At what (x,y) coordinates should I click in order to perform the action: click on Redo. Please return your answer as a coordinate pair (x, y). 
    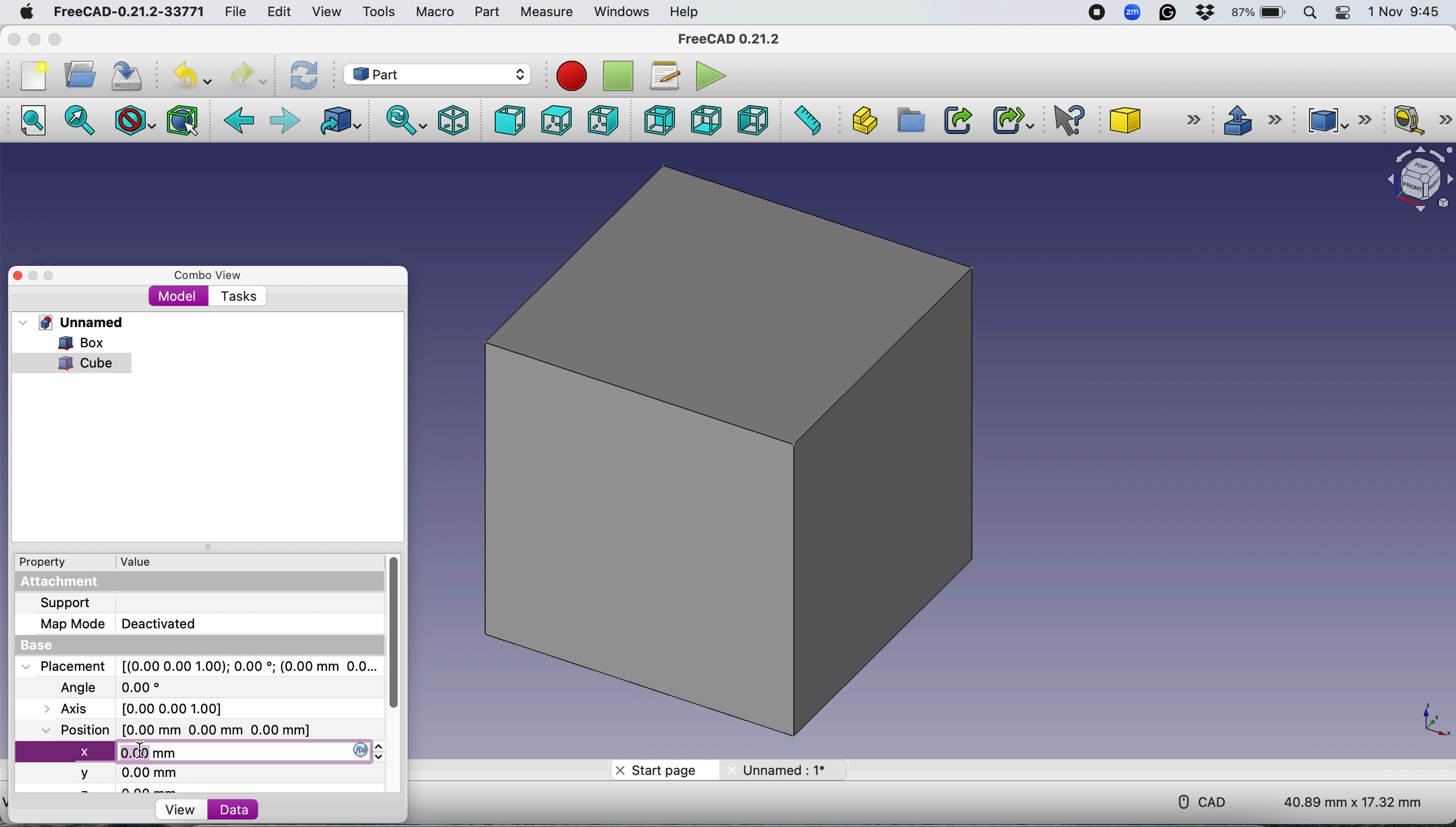
    Looking at the image, I should click on (247, 76).